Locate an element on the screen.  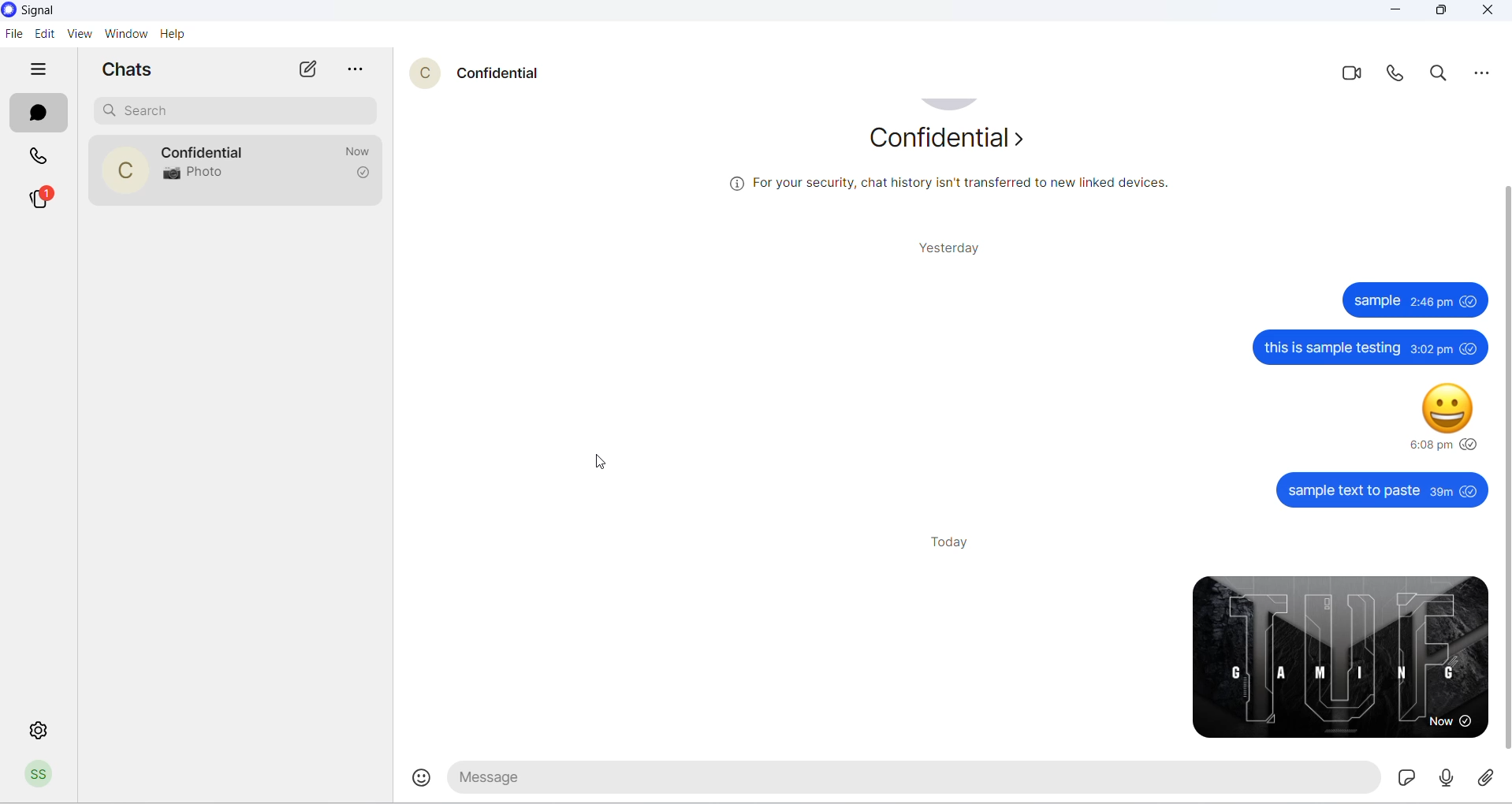
yesterday heading is located at coordinates (947, 249).